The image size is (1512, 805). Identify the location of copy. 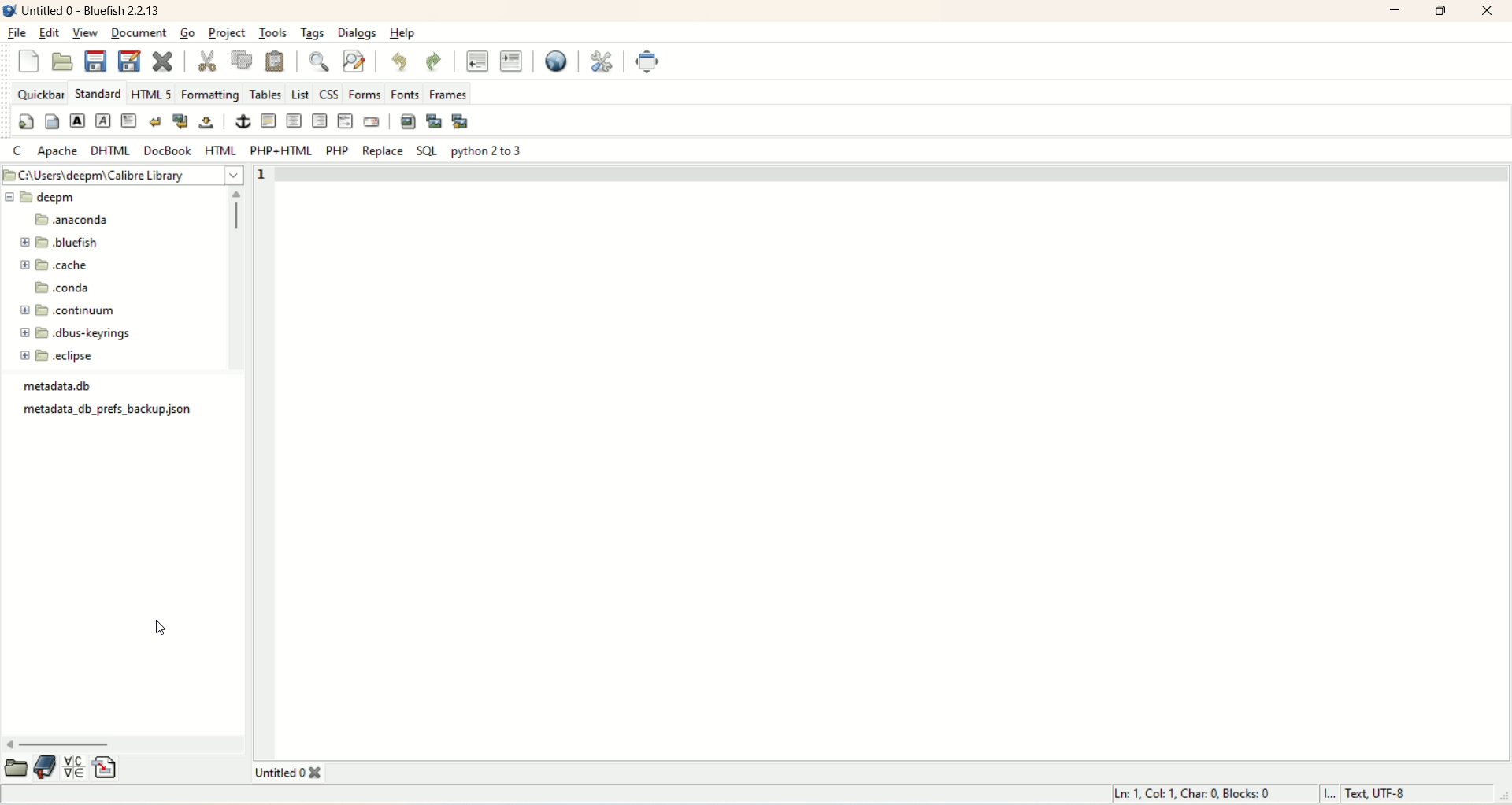
(242, 61).